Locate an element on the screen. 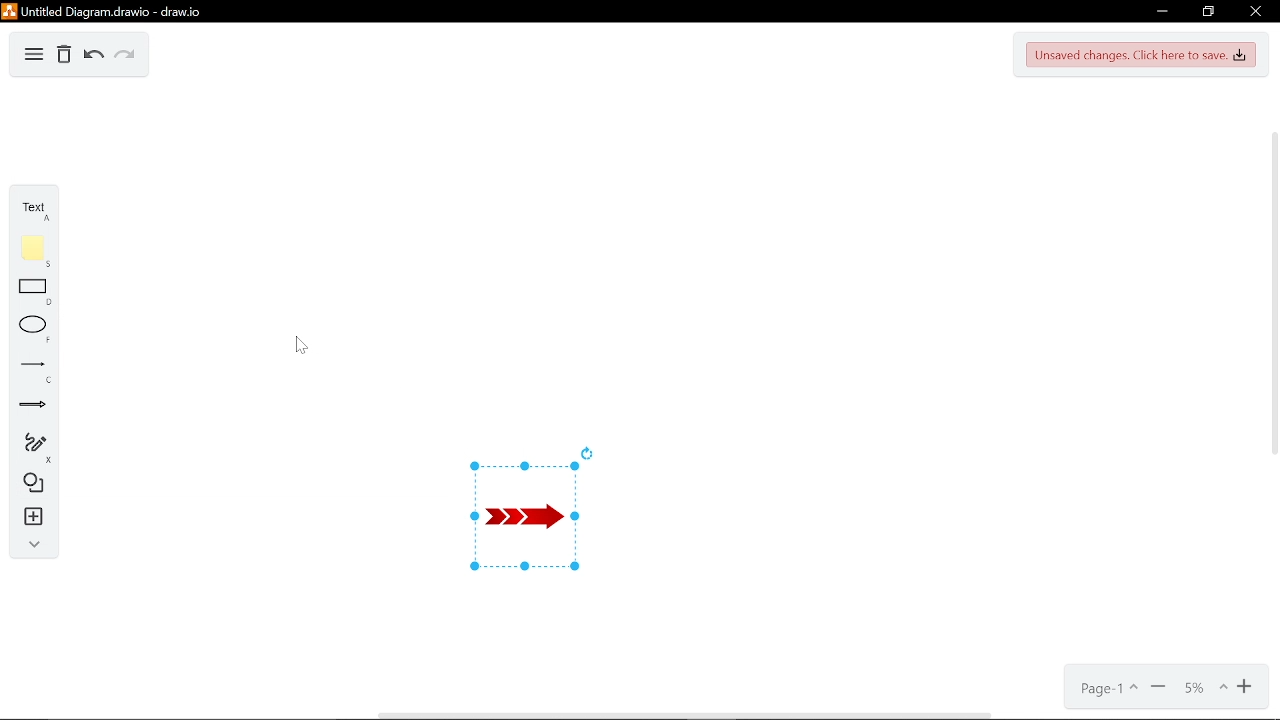 The width and height of the screenshot is (1280, 720). Minimize is located at coordinates (1164, 10).